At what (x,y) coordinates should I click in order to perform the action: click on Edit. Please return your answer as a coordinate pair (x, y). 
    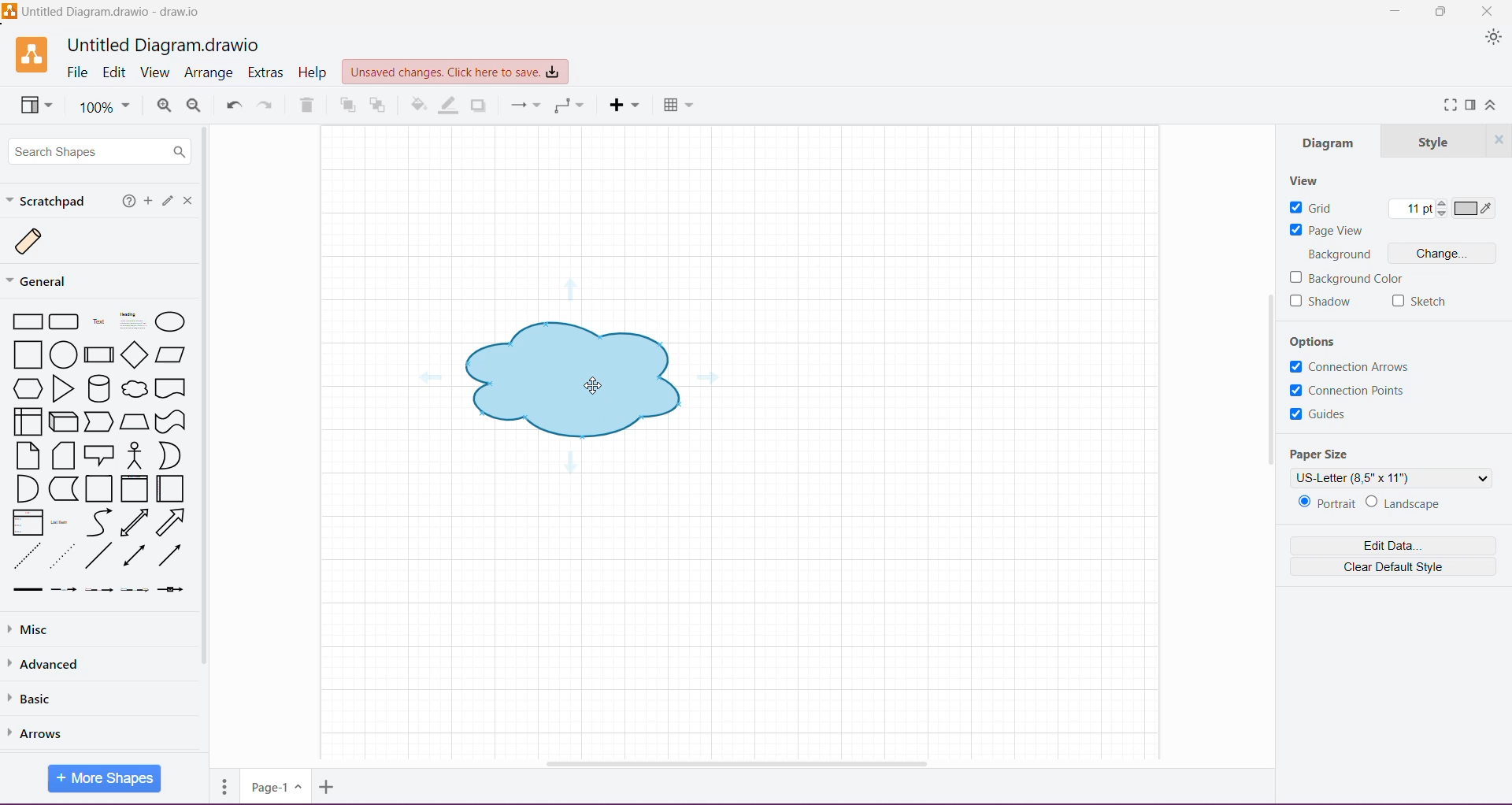
    Looking at the image, I should click on (116, 72).